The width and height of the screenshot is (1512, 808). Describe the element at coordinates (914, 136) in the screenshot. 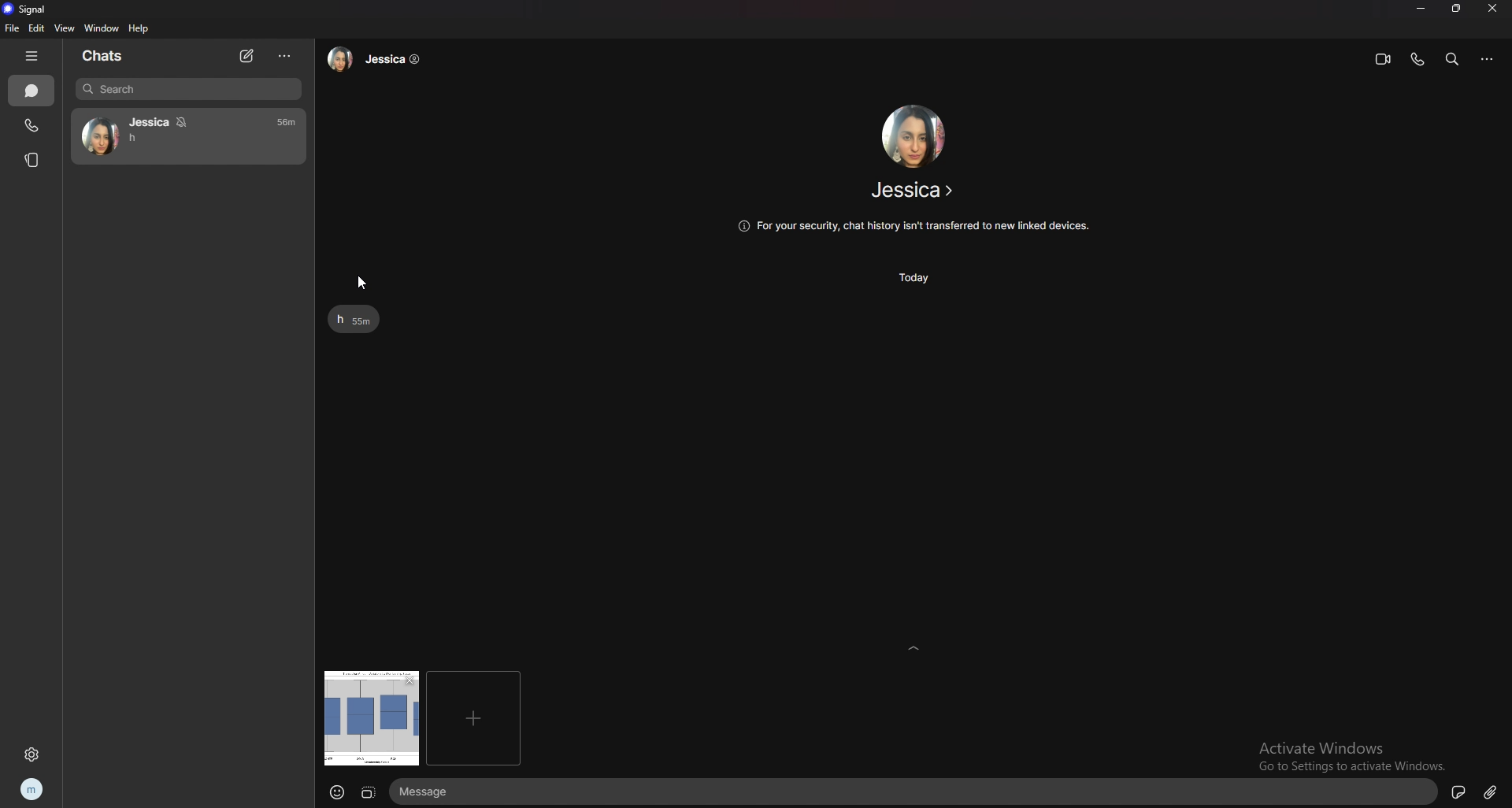

I see `contact photo` at that location.